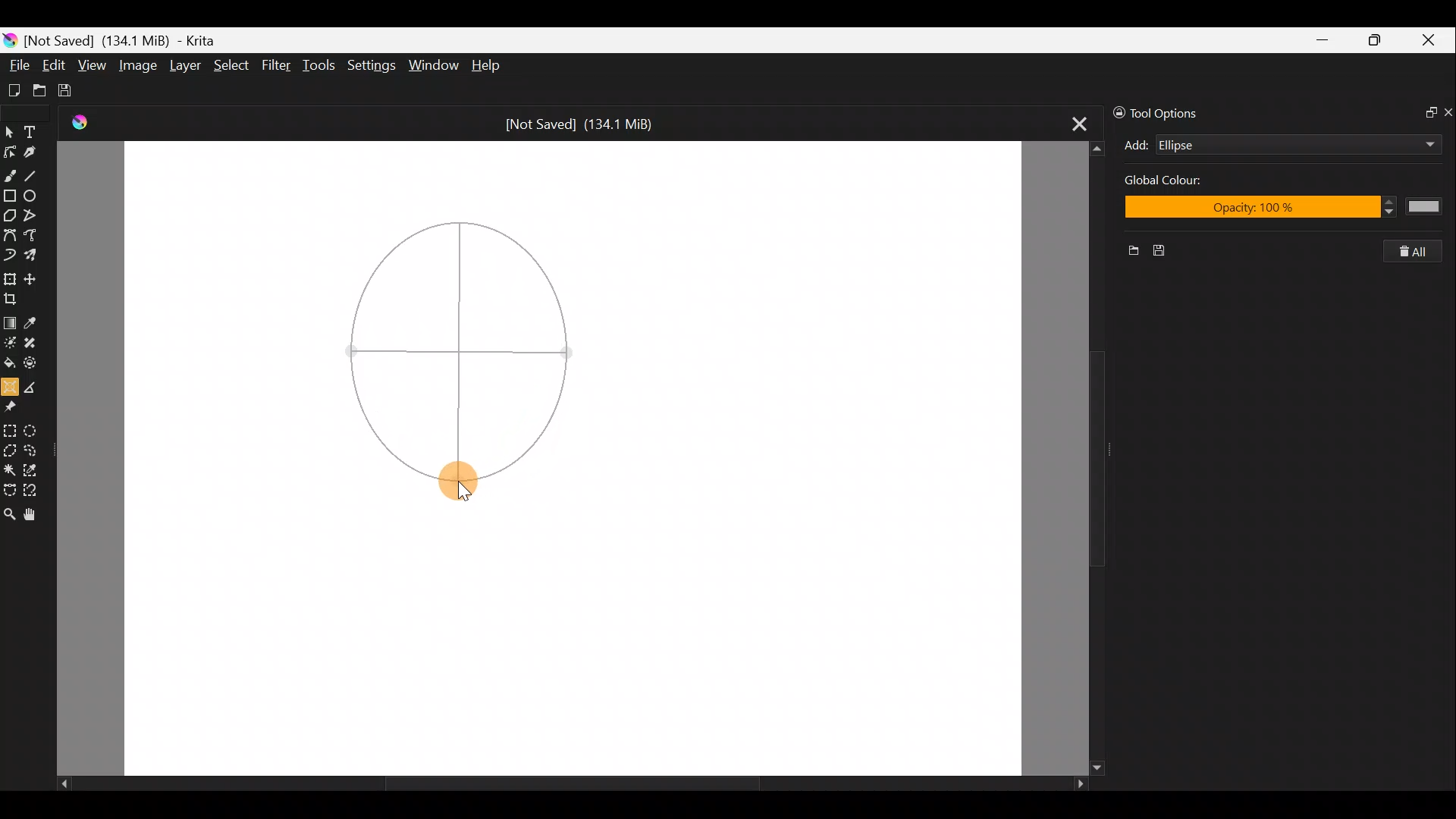  I want to click on Ellipse, so click(36, 196).